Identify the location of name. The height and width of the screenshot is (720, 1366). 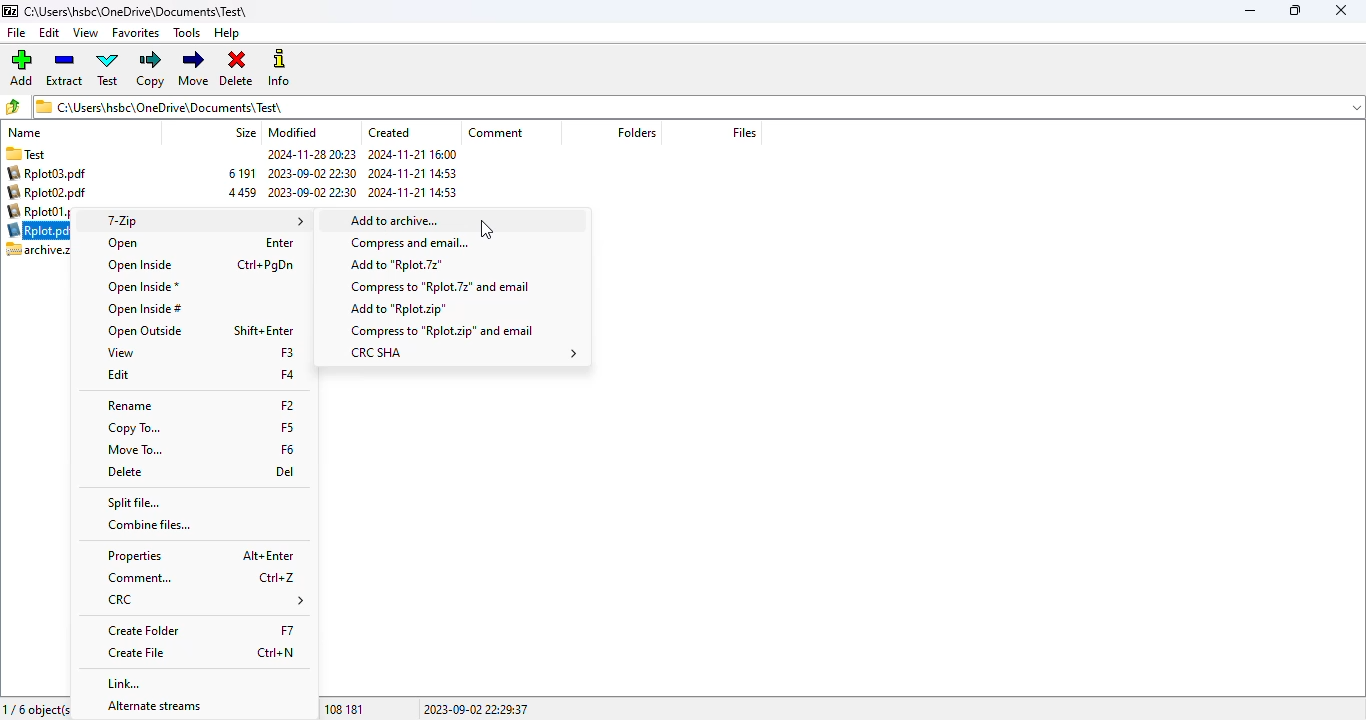
(25, 132).